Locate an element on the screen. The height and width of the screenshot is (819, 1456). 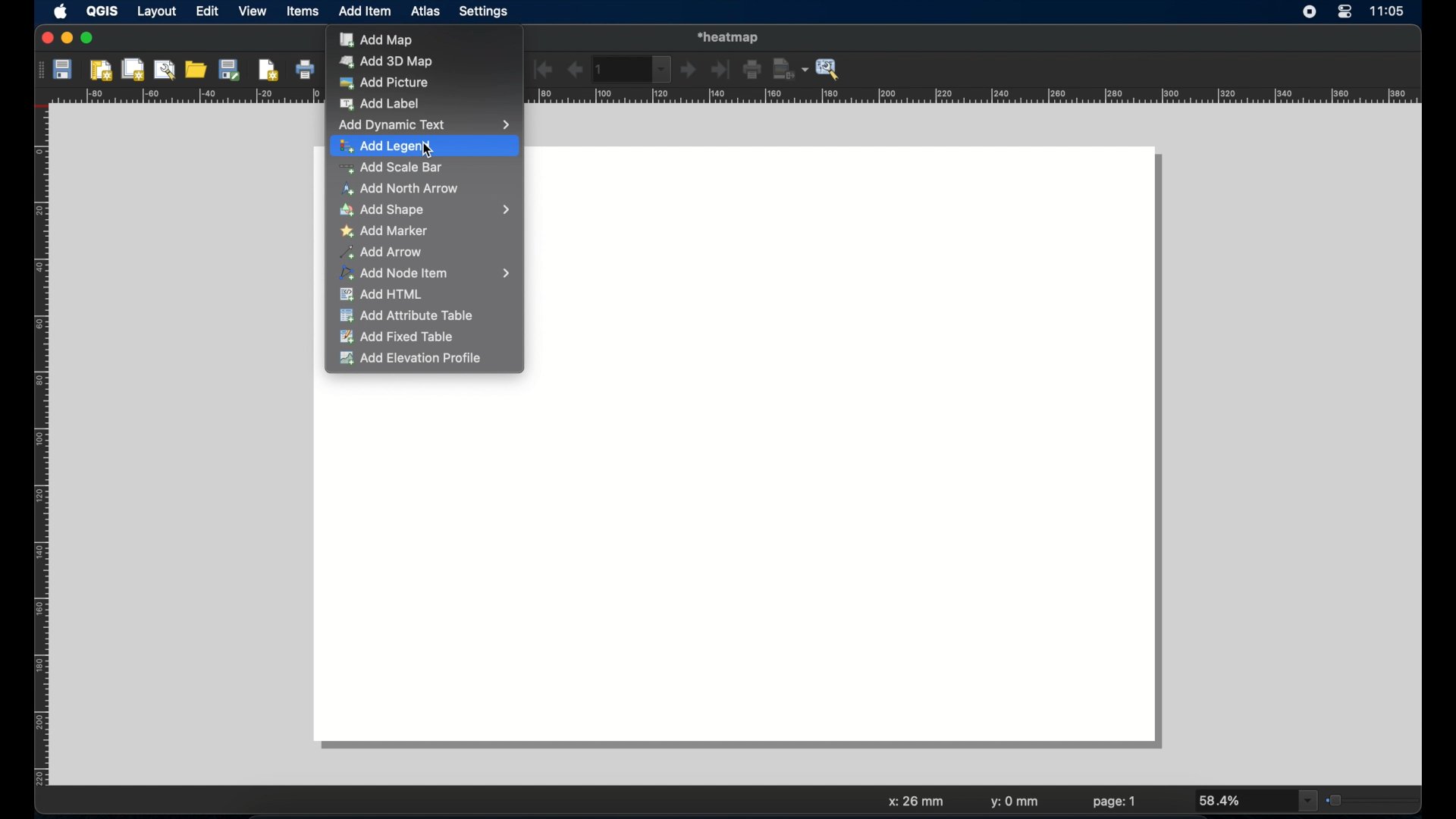
atlas toolbar is located at coordinates (633, 69).